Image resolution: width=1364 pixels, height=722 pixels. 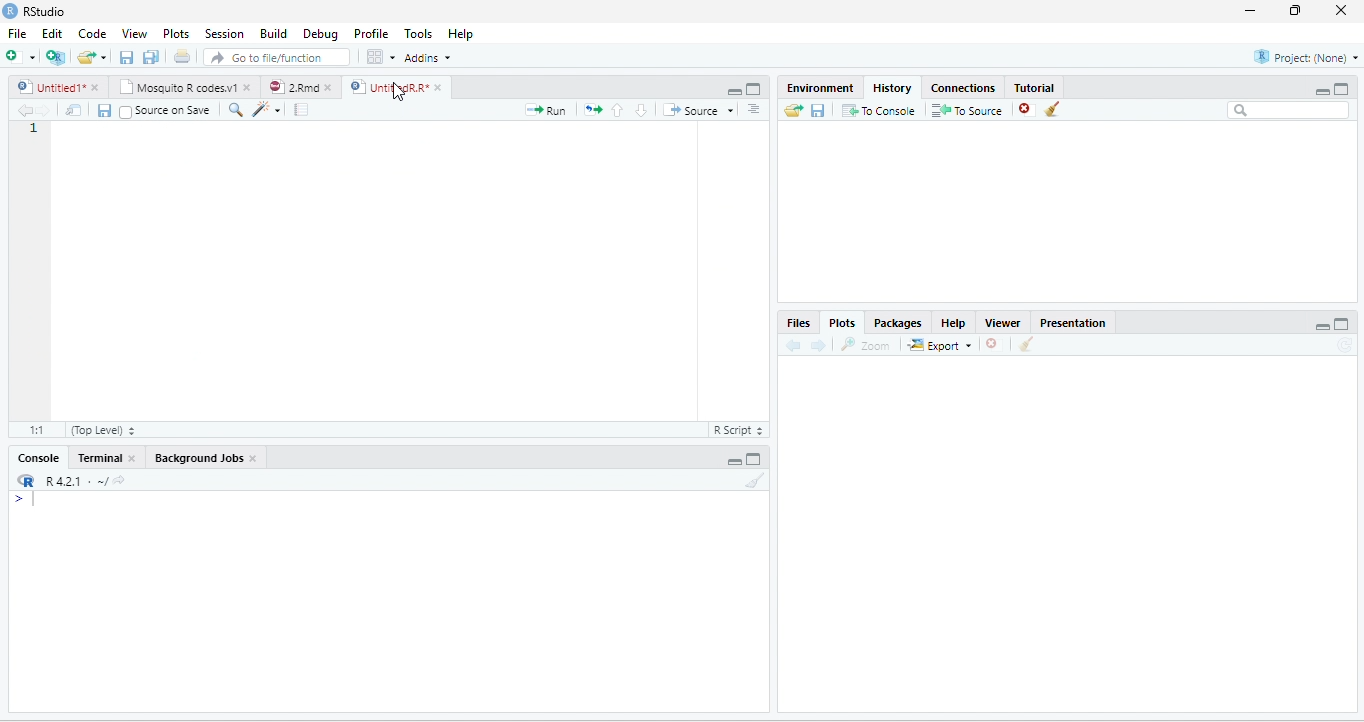 What do you see at coordinates (818, 345) in the screenshot?
I see `Next plot` at bounding box center [818, 345].